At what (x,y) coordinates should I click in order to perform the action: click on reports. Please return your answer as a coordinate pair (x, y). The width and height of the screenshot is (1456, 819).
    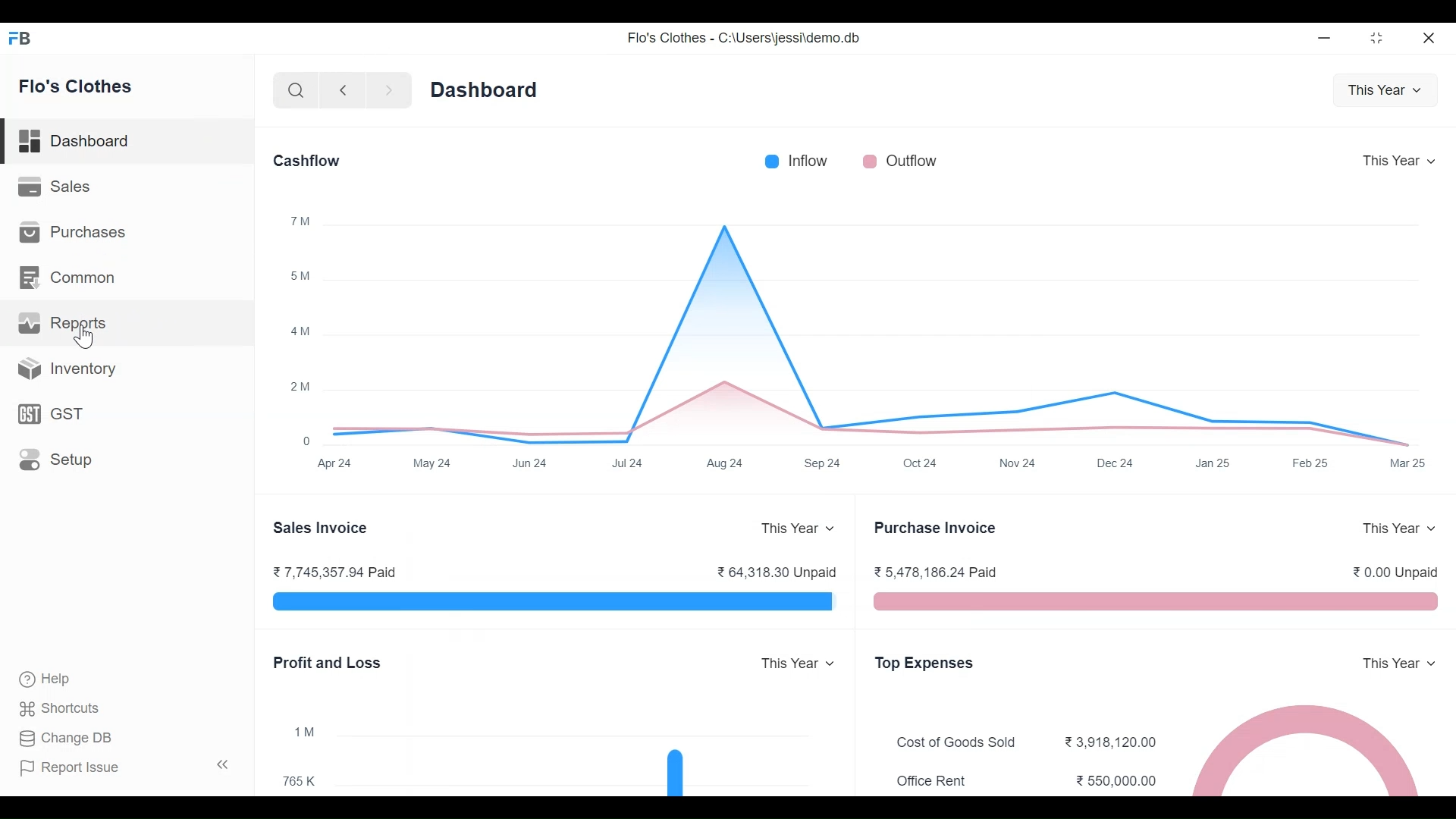
    Looking at the image, I should click on (65, 324).